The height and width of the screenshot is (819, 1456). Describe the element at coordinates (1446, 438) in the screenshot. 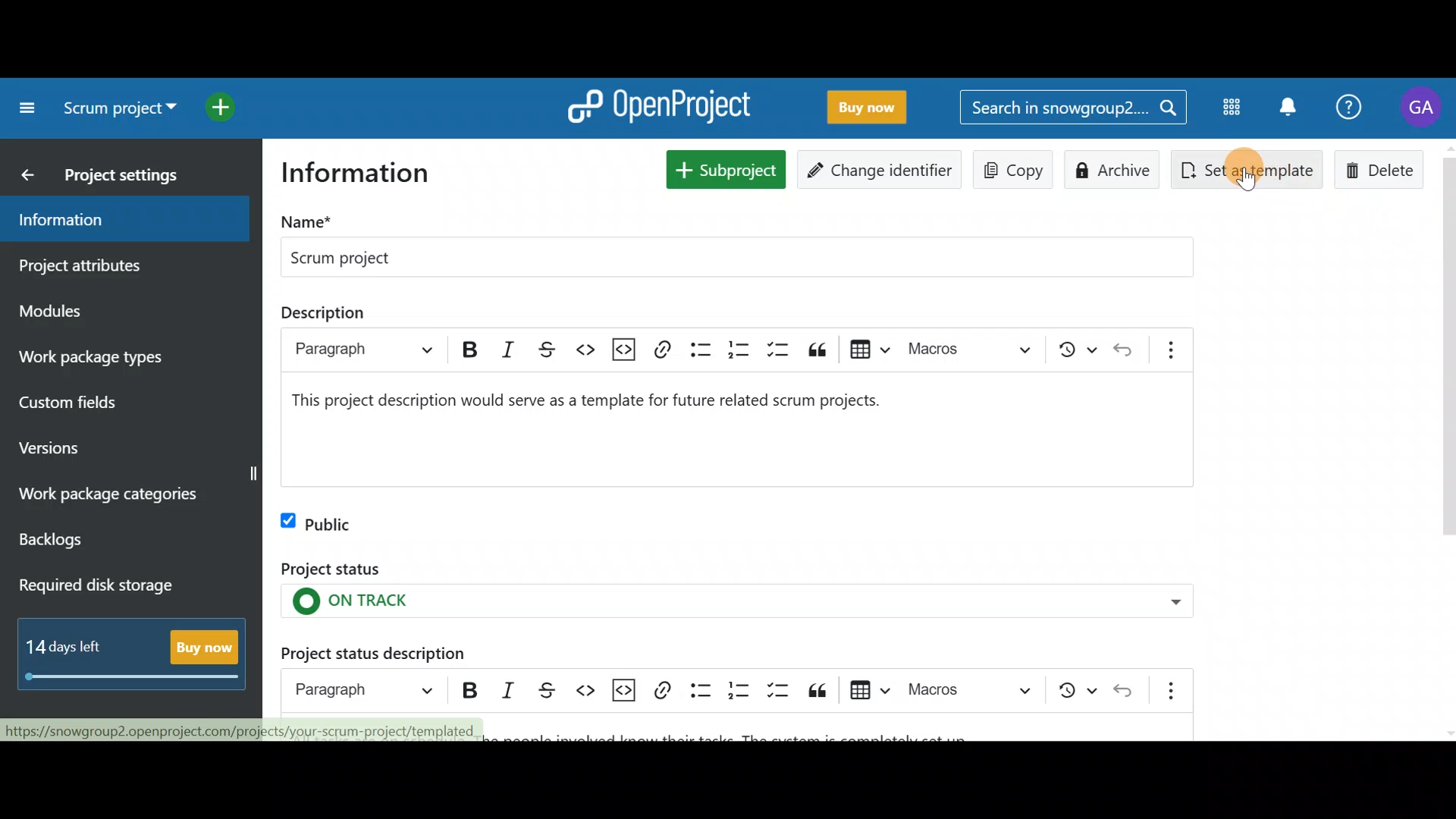

I see `scroll bar` at that location.